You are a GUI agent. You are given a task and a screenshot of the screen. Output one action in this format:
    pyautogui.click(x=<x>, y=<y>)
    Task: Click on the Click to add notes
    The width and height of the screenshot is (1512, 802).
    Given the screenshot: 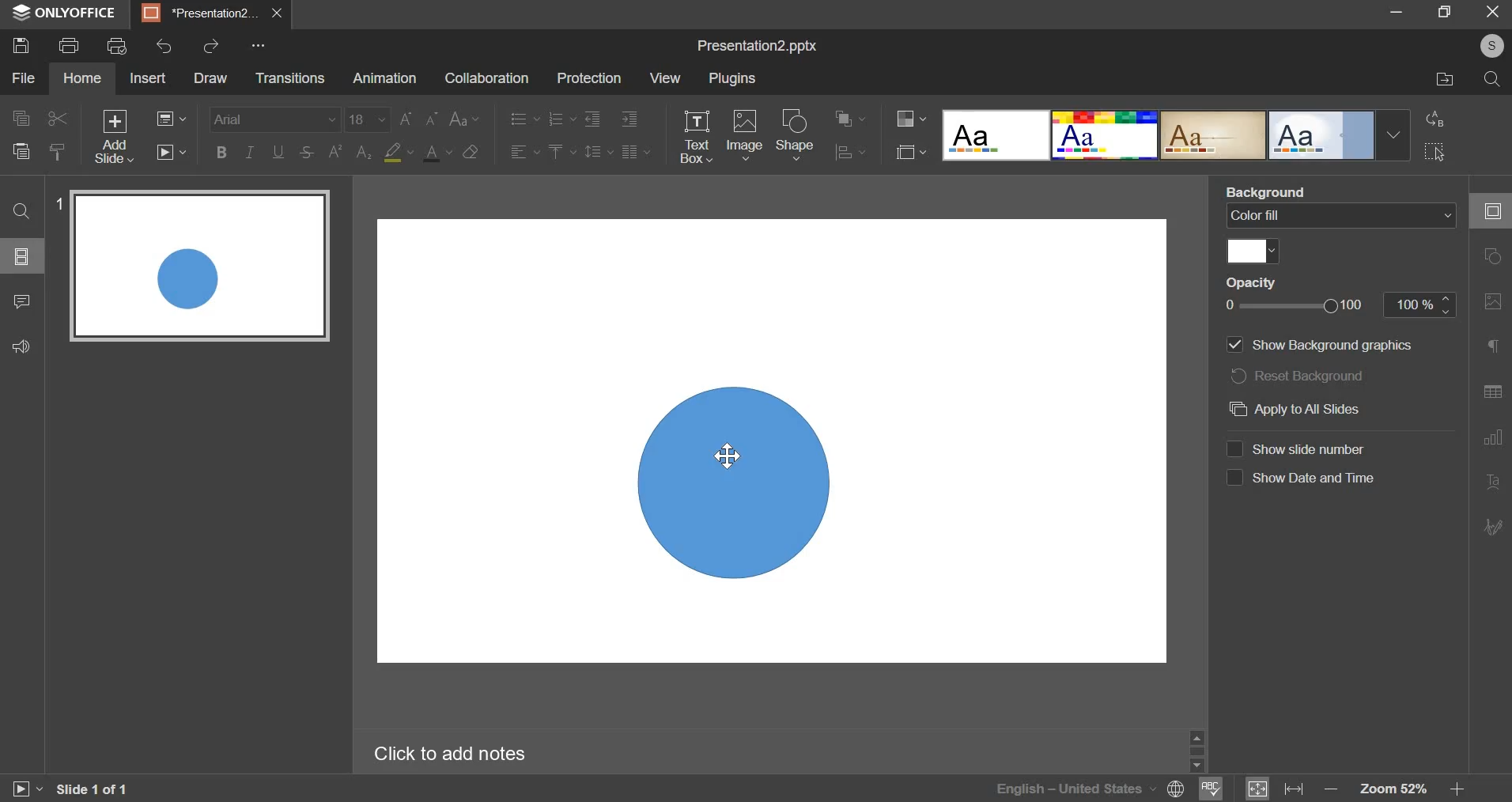 What is the action you would take?
    pyautogui.click(x=482, y=754)
    